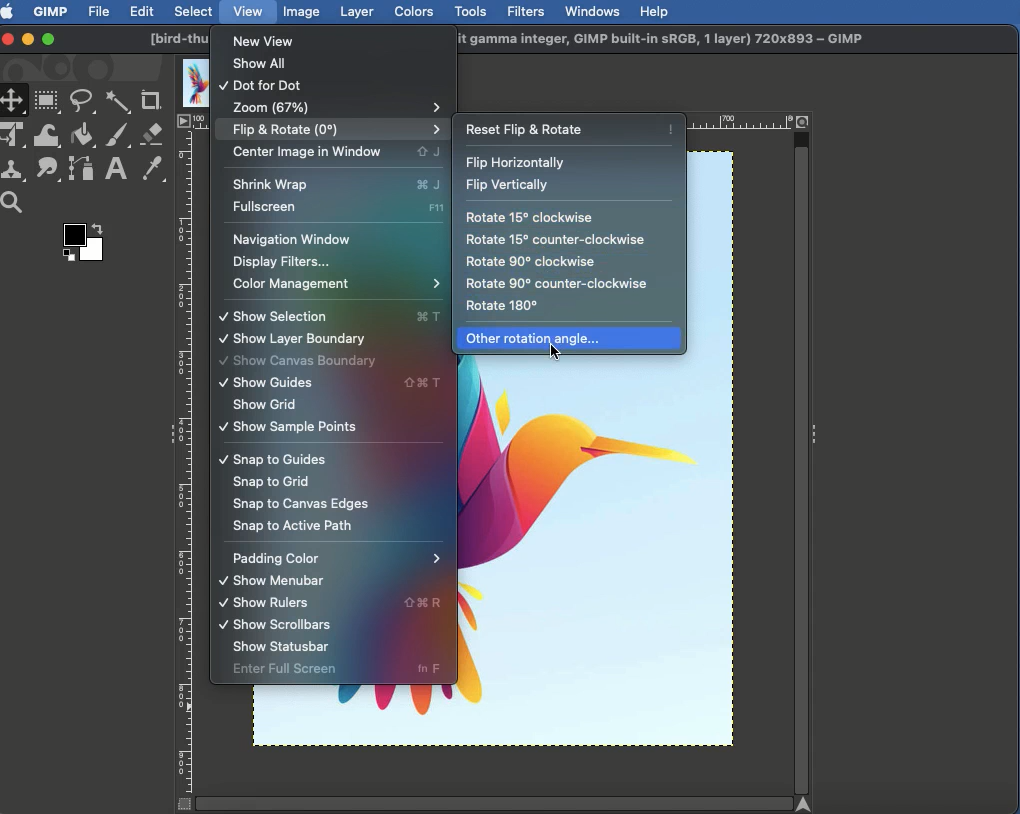  I want to click on current Tab, so click(191, 81).